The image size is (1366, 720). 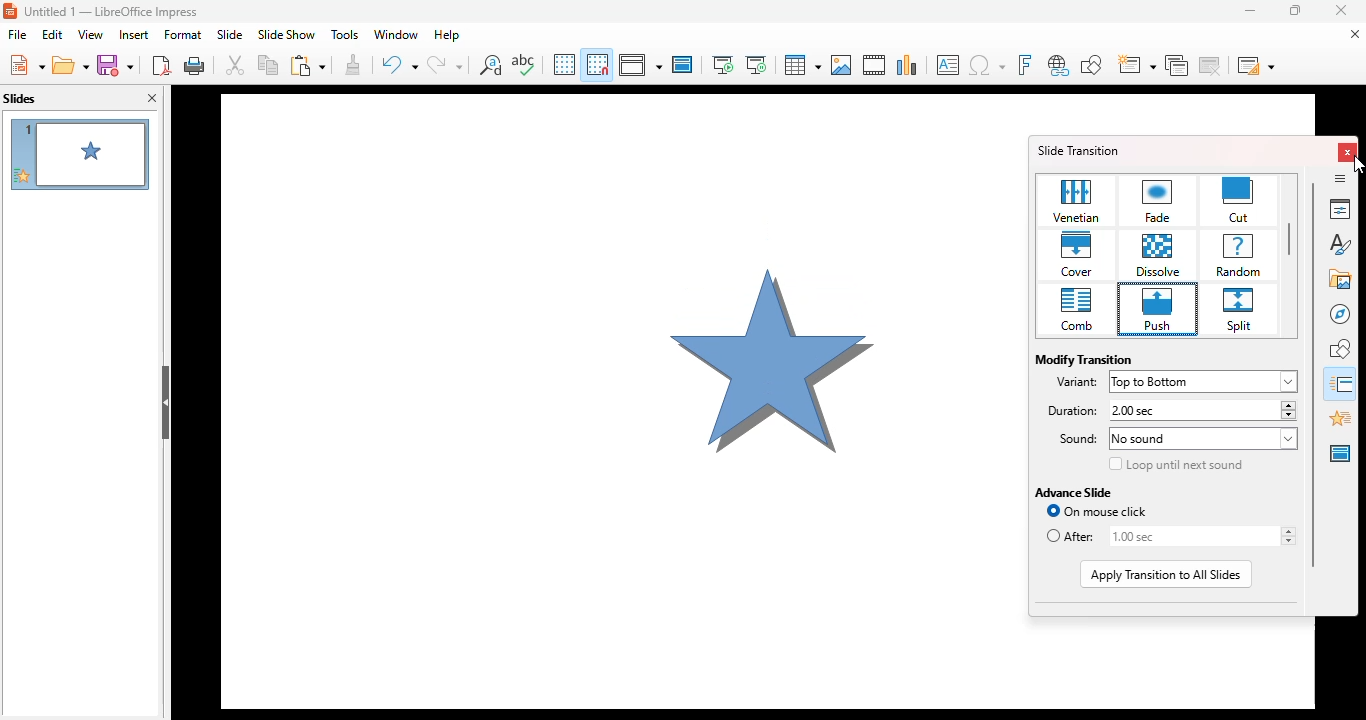 I want to click on sound, so click(x=1071, y=440).